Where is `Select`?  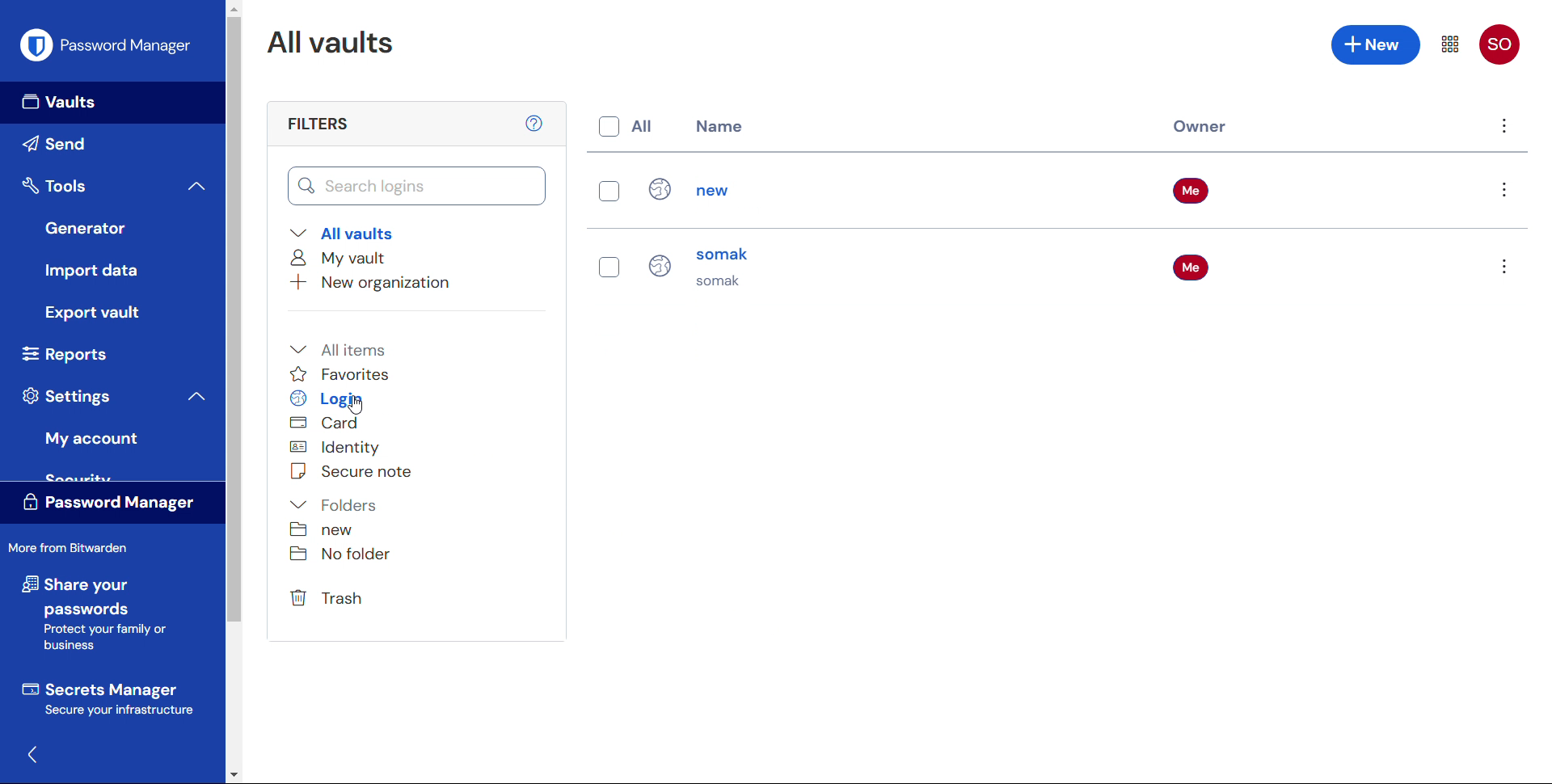
Select is located at coordinates (609, 263).